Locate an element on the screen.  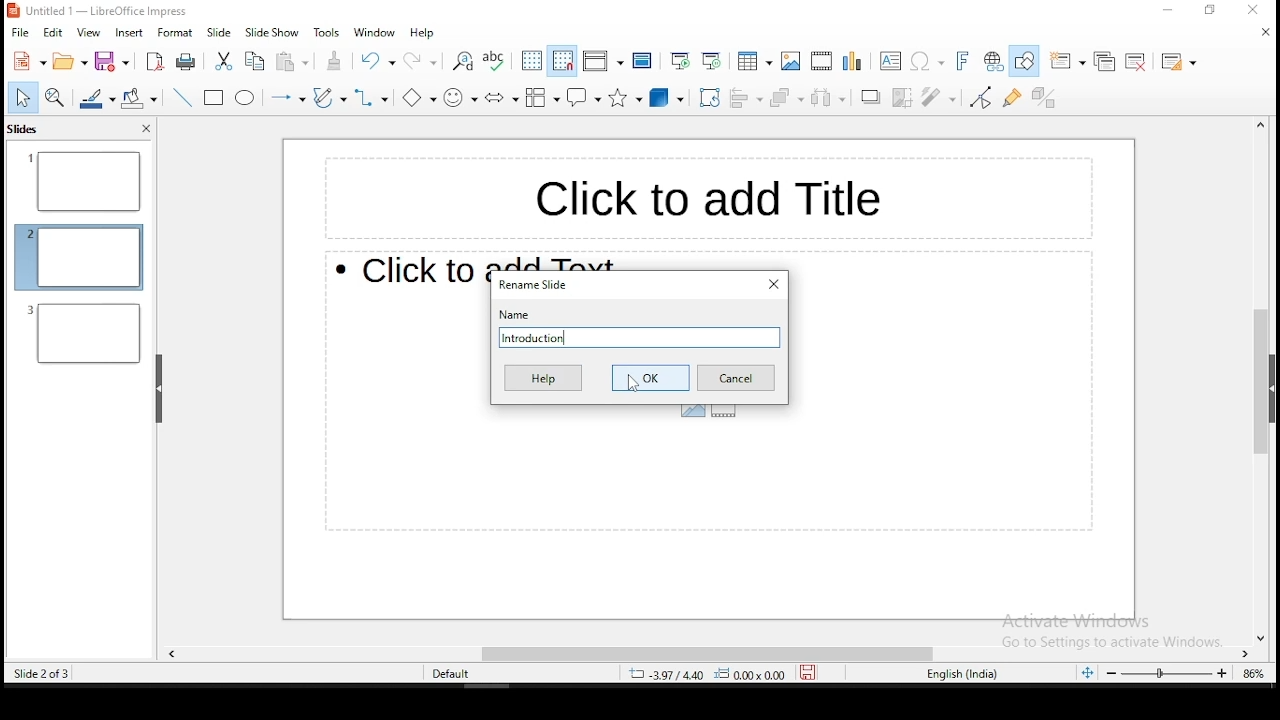
slide show is located at coordinates (272, 34).